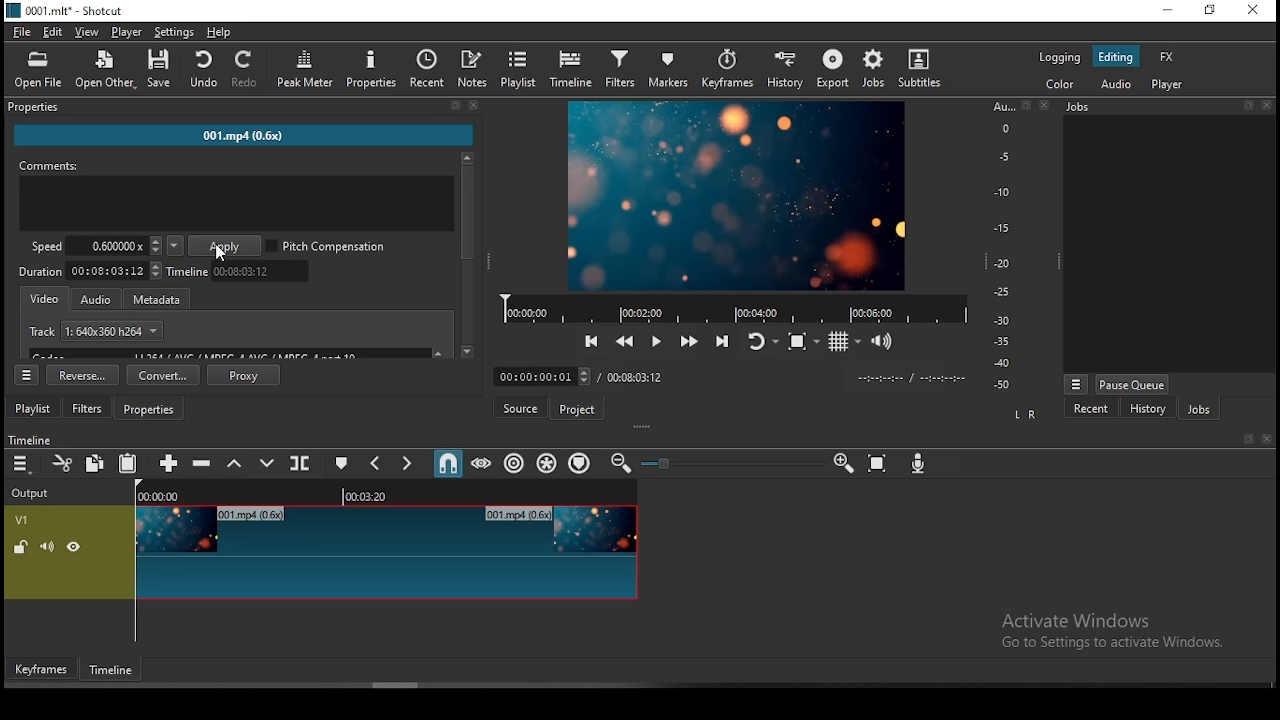 This screenshot has height=720, width=1280. What do you see at coordinates (842, 460) in the screenshot?
I see `zoom timeline In` at bounding box center [842, 460].